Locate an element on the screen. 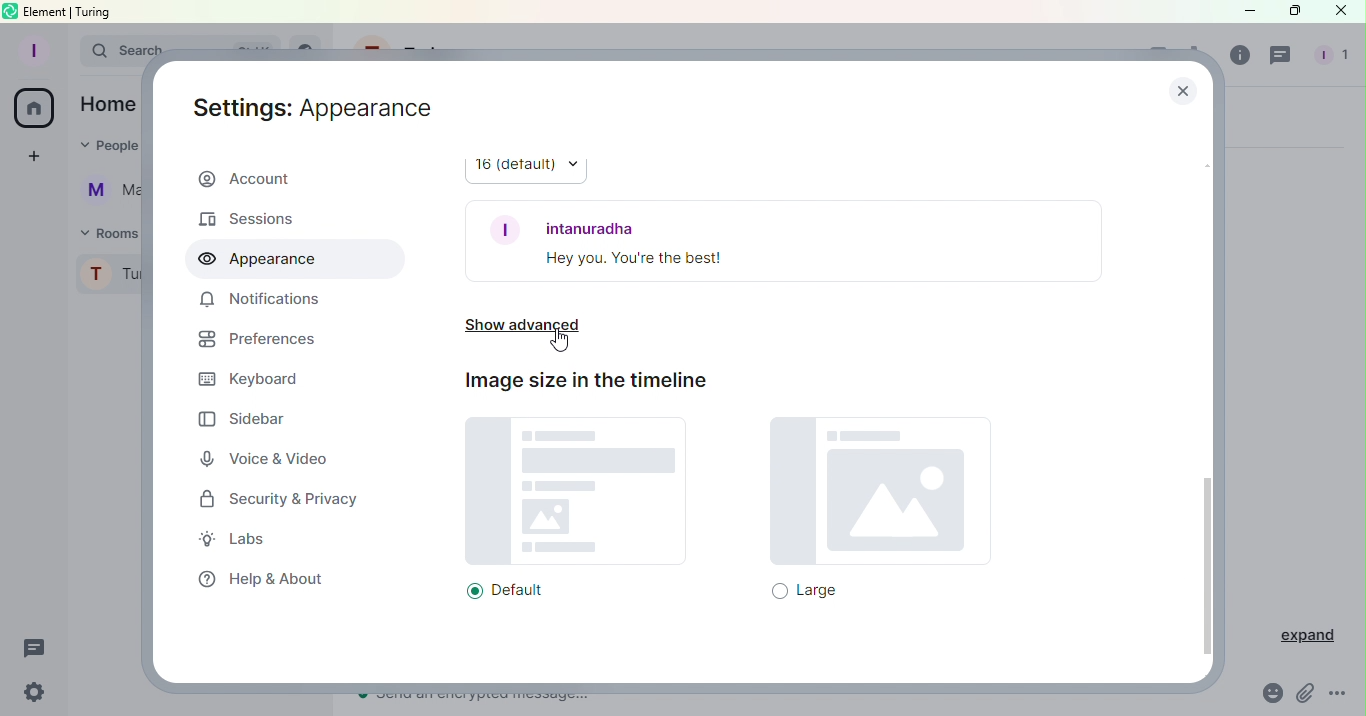 This screenshot has height=716, width=1366. Settings is located at coordinates (35, 690).